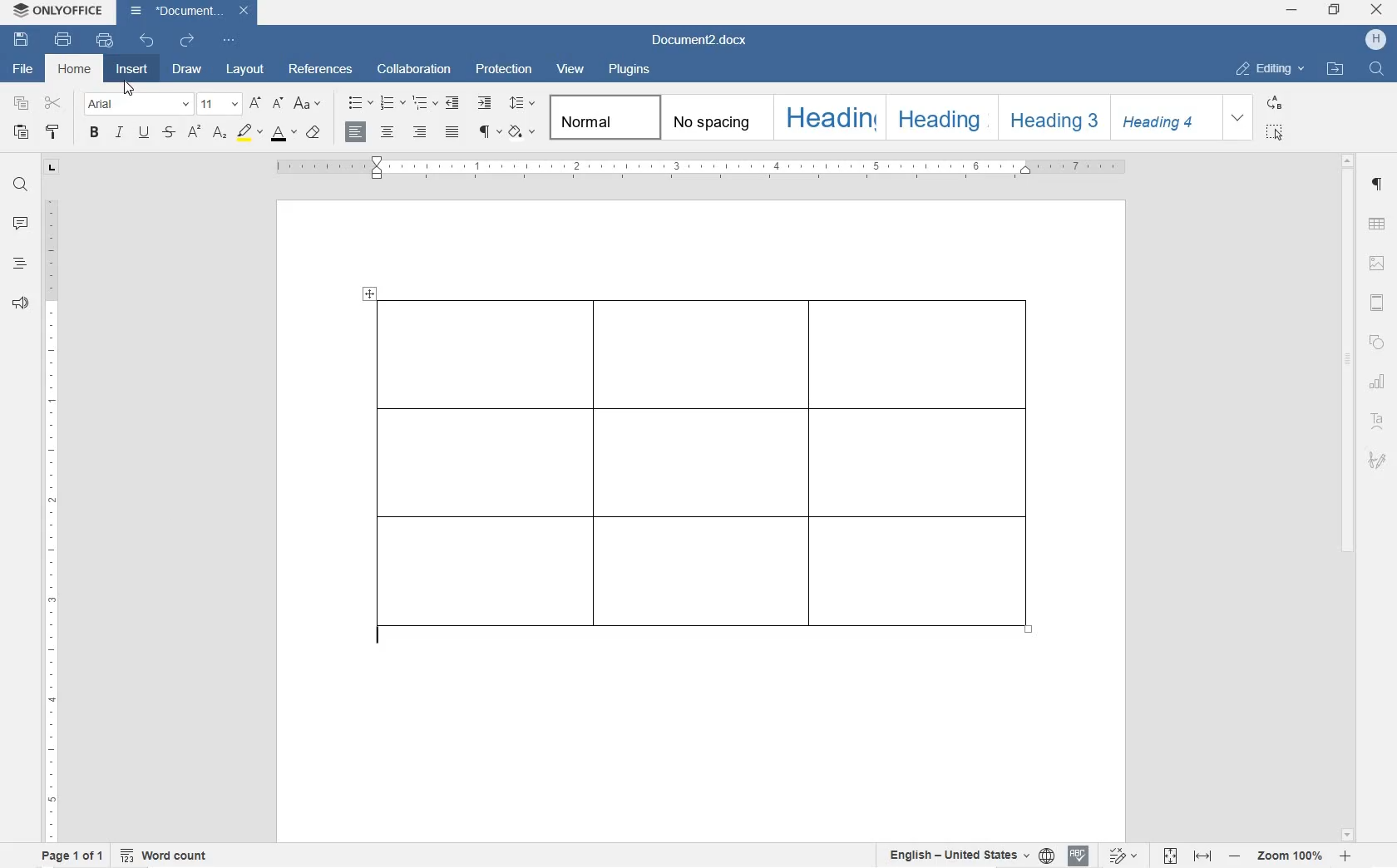 Image resolution: width=1397 pixels, height=868 pixels. I want to click on page 1 of 1, so click(70, 856).